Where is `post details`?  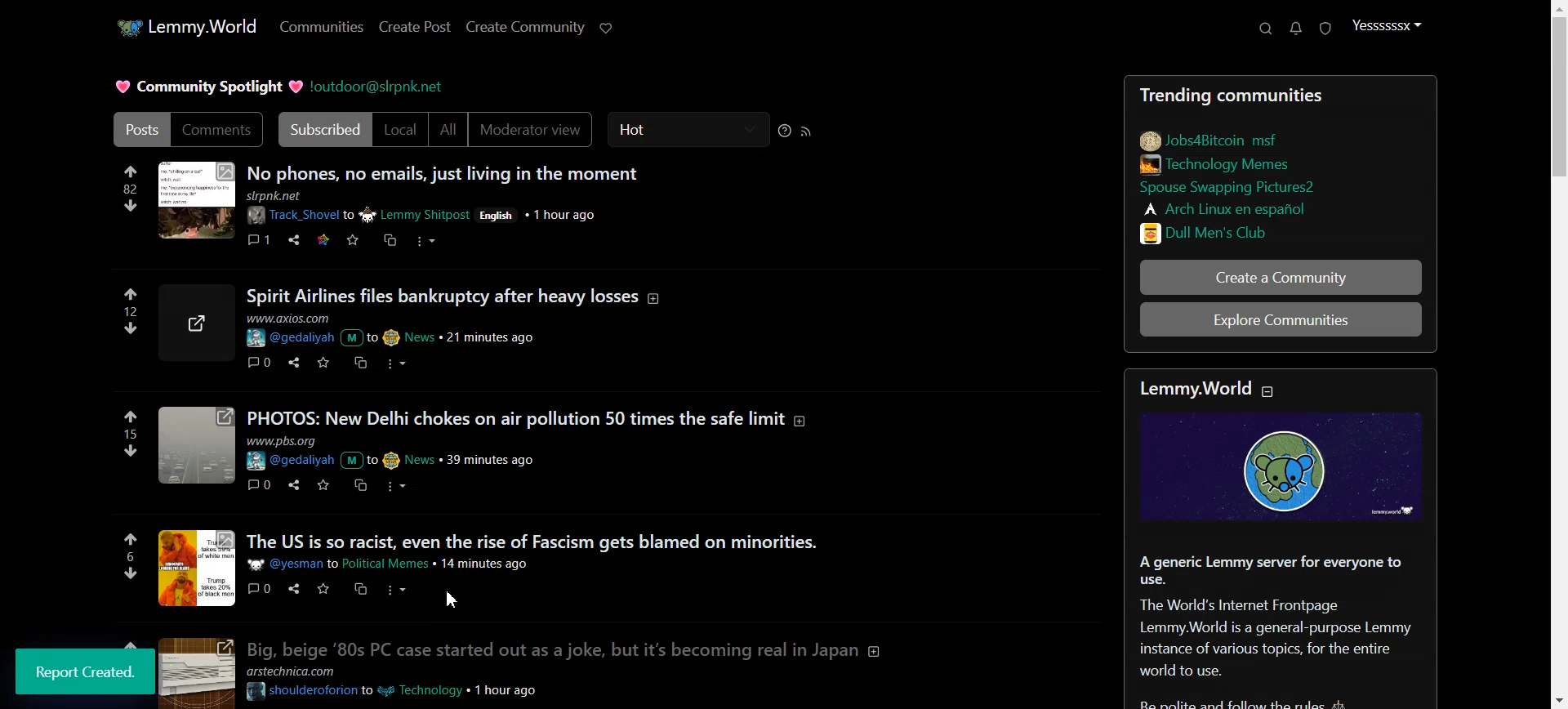
post details is located at coordinates (448, 208).